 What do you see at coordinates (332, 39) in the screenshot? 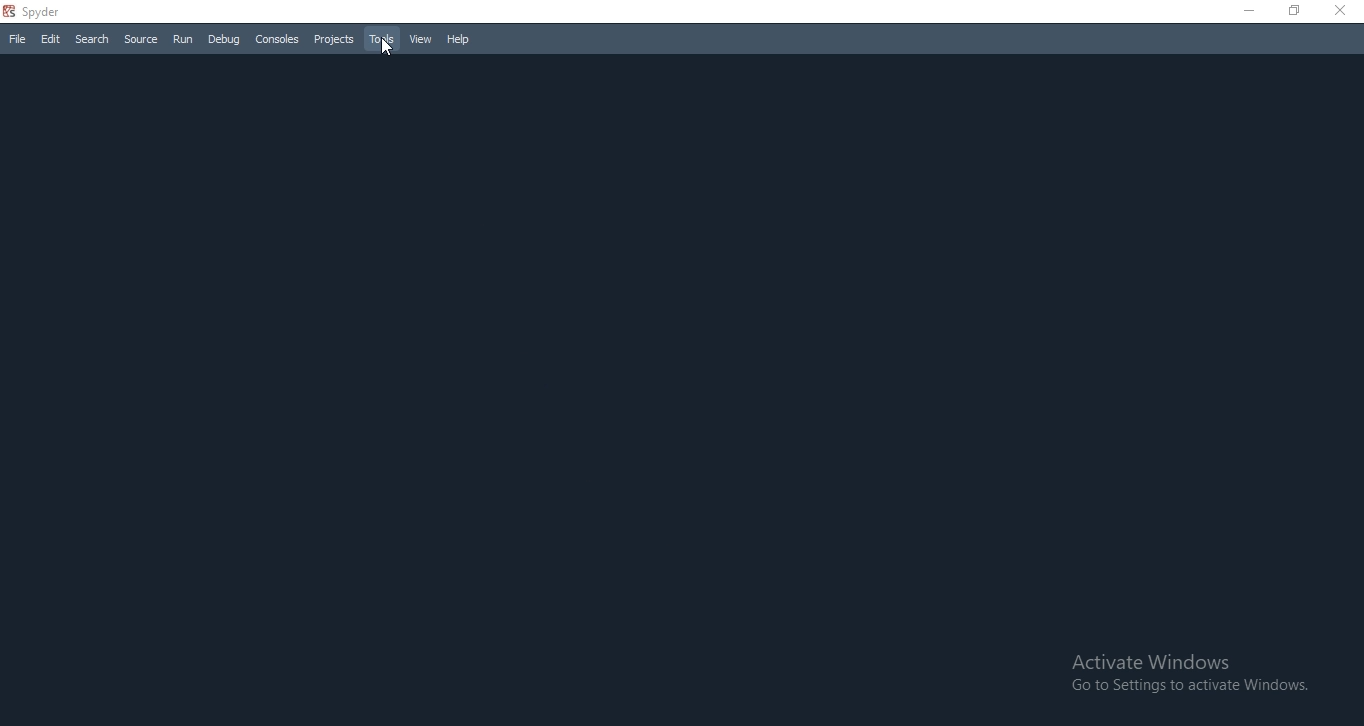
I see `Projects` at bounding box center [332, 39].